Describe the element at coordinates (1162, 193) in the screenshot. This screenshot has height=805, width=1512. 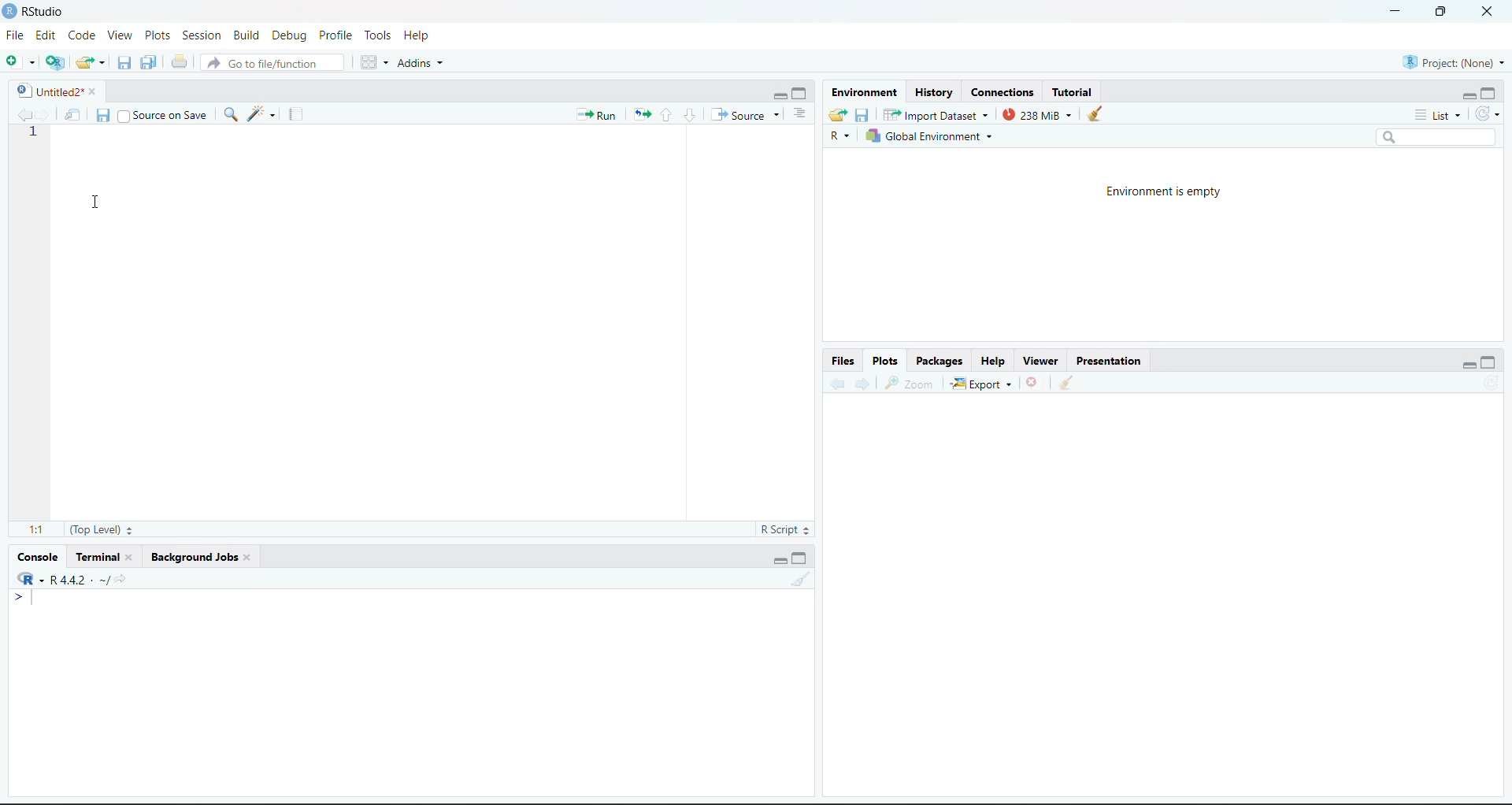
I see `Environment is empty` at that location.